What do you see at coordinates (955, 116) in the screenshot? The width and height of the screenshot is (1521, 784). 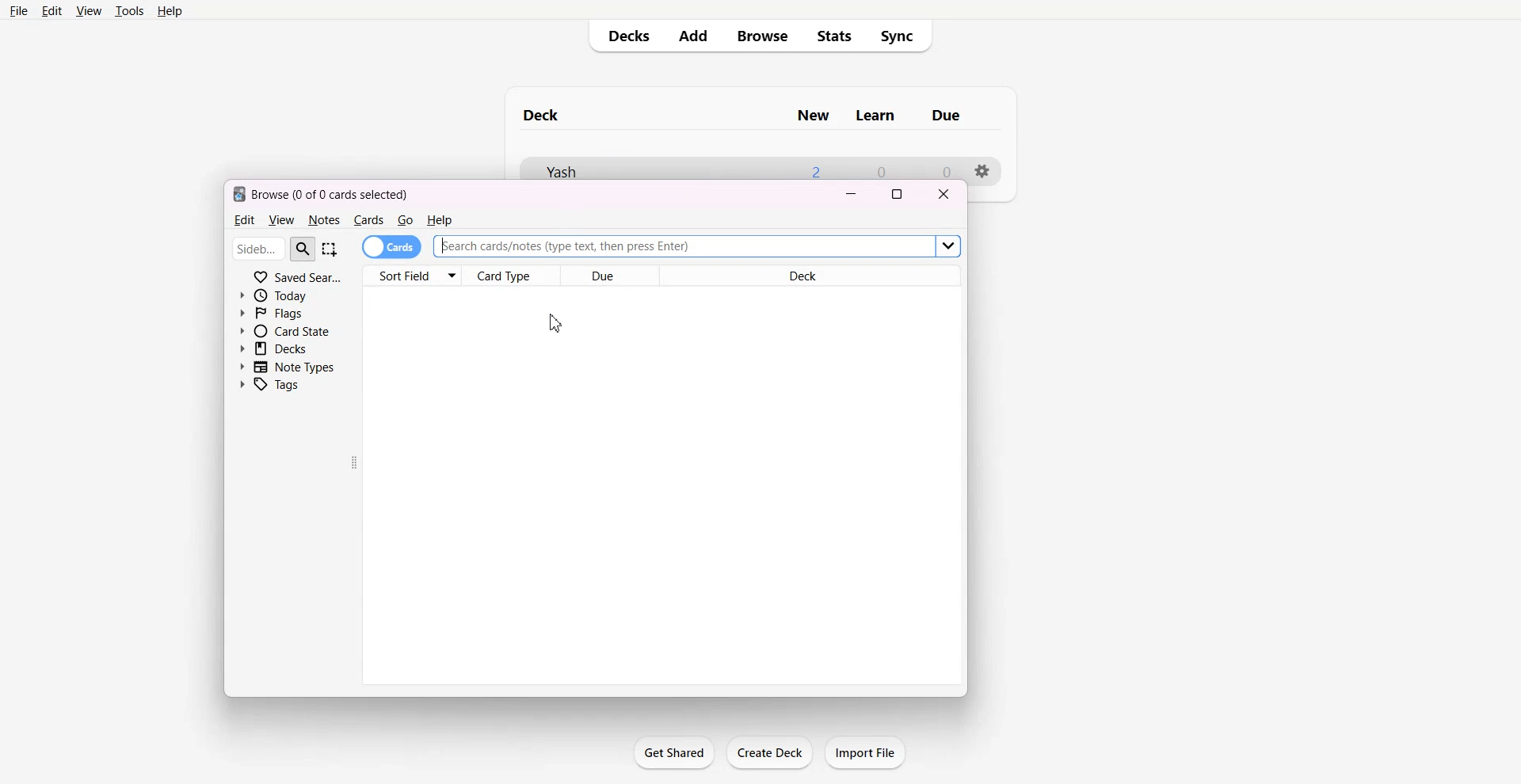 I see `Due` at bounding box center [955, 116].